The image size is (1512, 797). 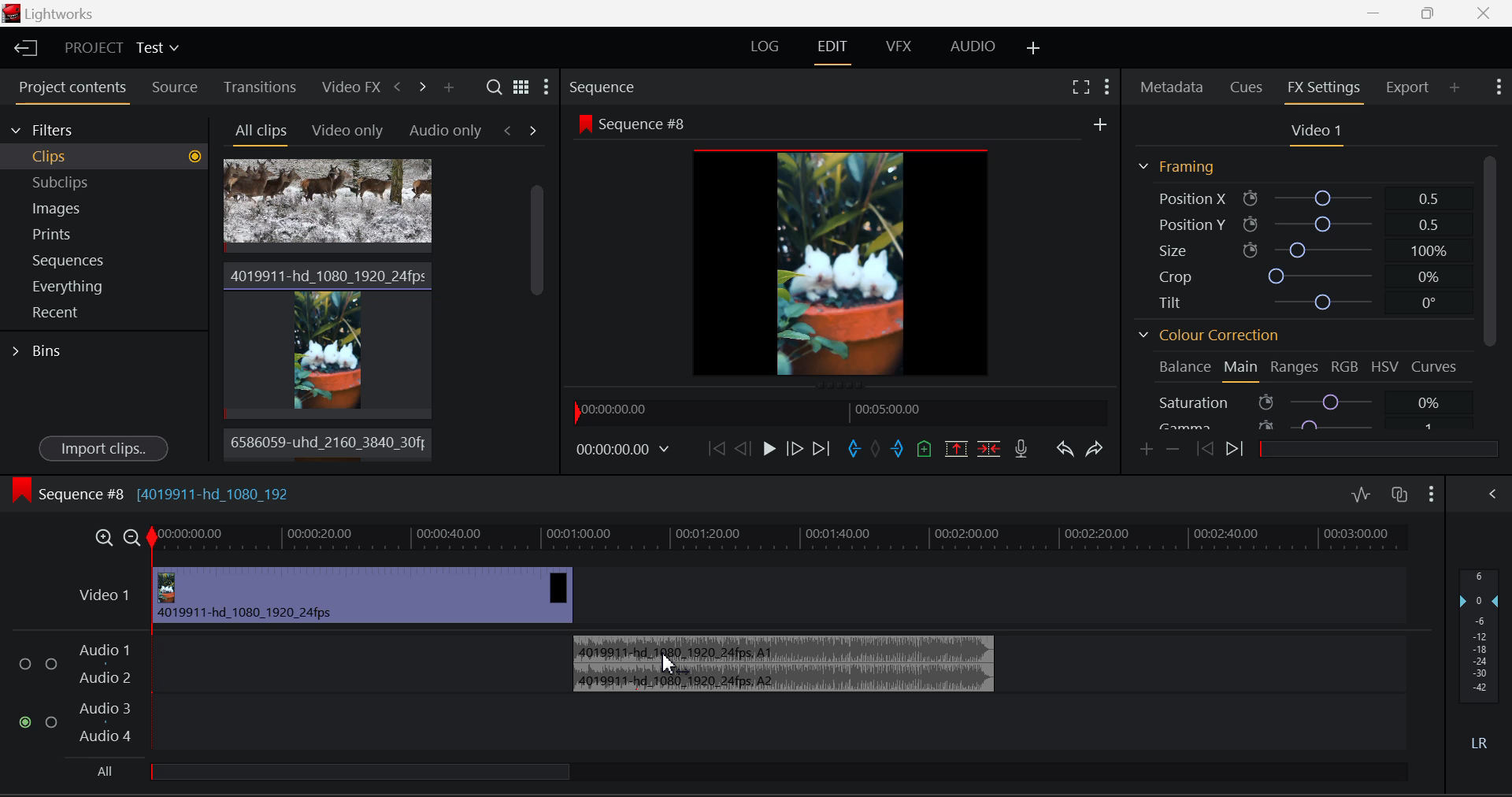 What do you see at coordinates (1173, 450) in the screenshot?
I see `Remove keyframe` at bounding box center [1173, 450].